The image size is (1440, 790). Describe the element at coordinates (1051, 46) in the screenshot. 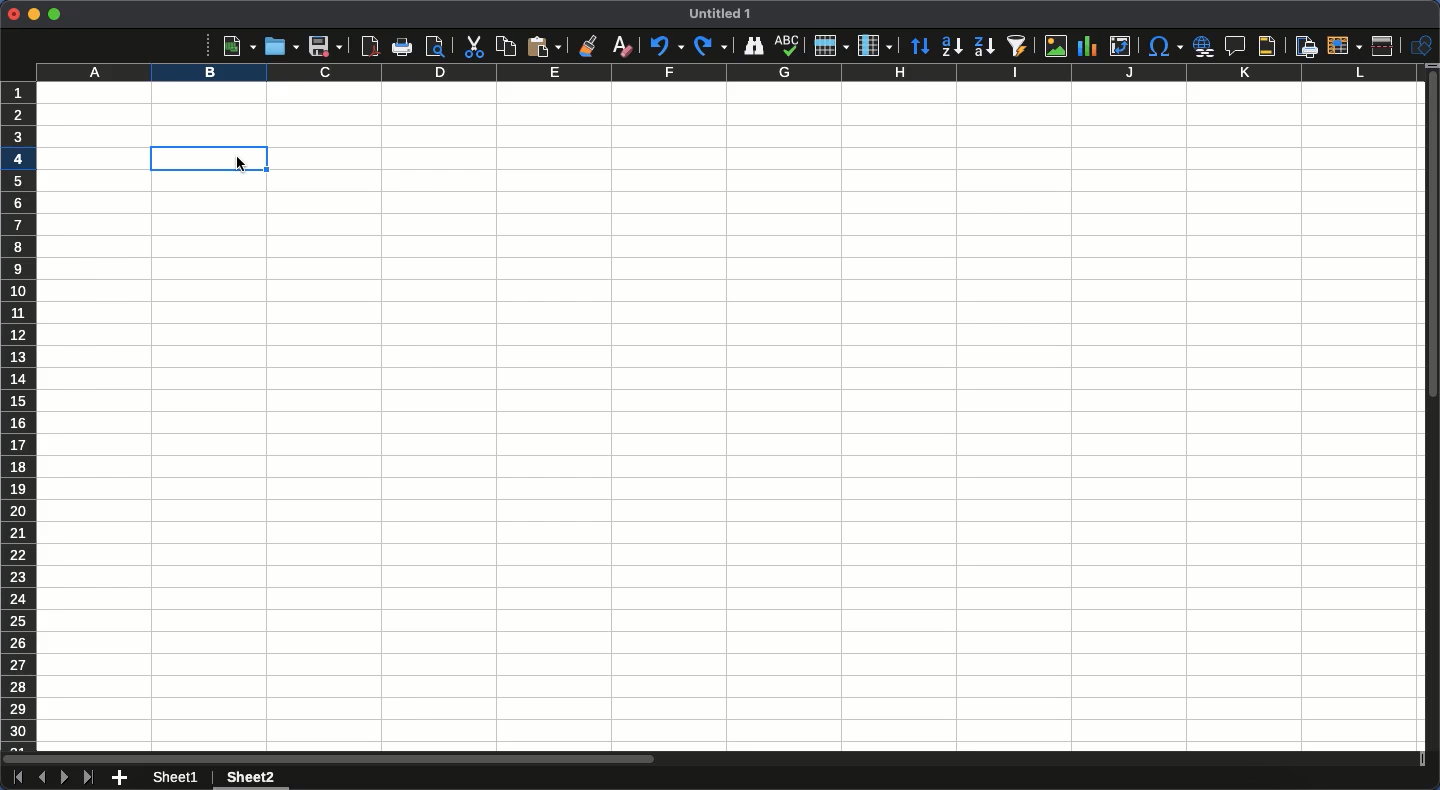

I see `Image` at that location.